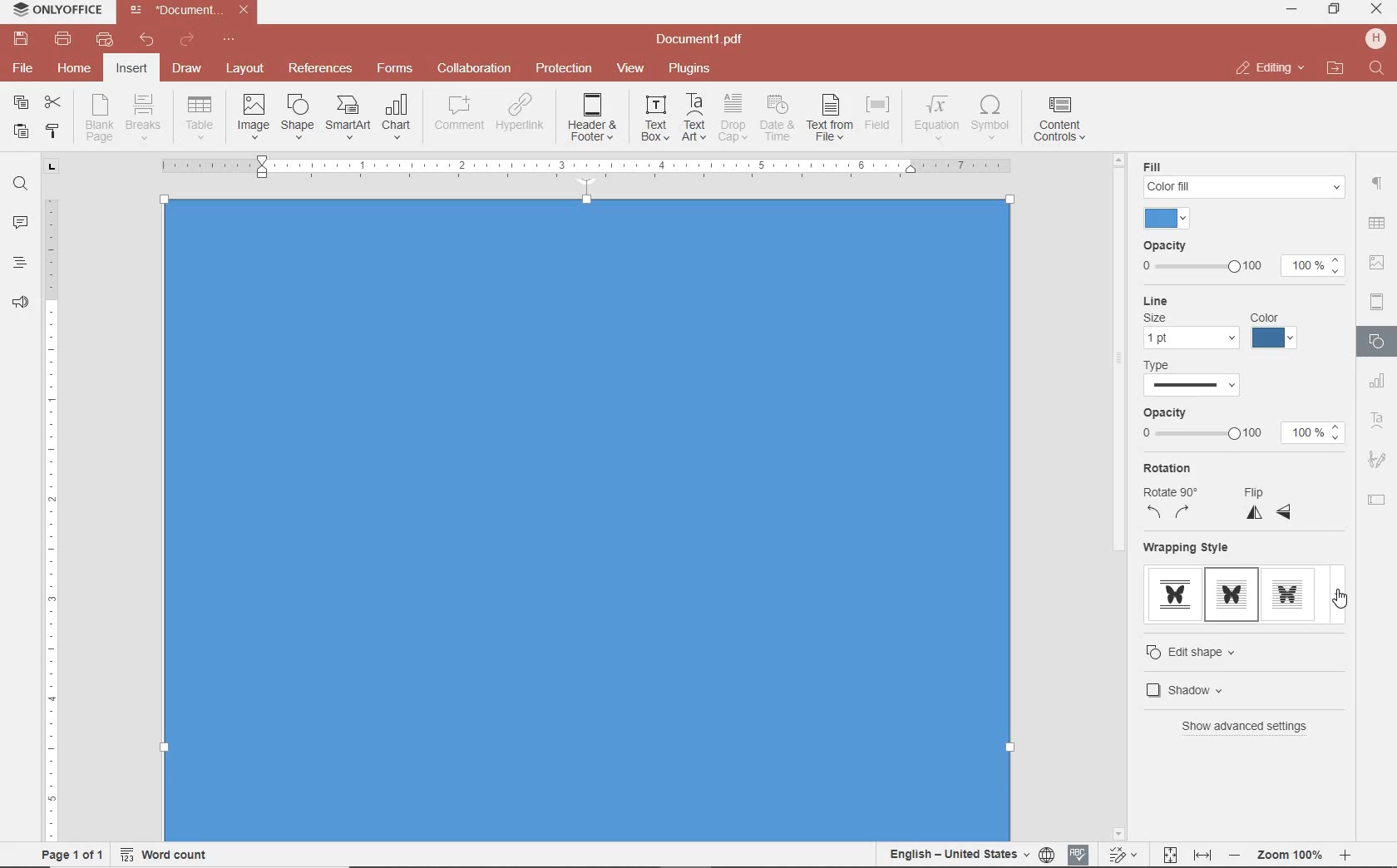 Image resolution: width=1397 pixels, height=868 pixels. What do you see at coordinates (296, 116) in the screenshot?
I see `INSERT SHAPE` at bounding box center [296, 116].